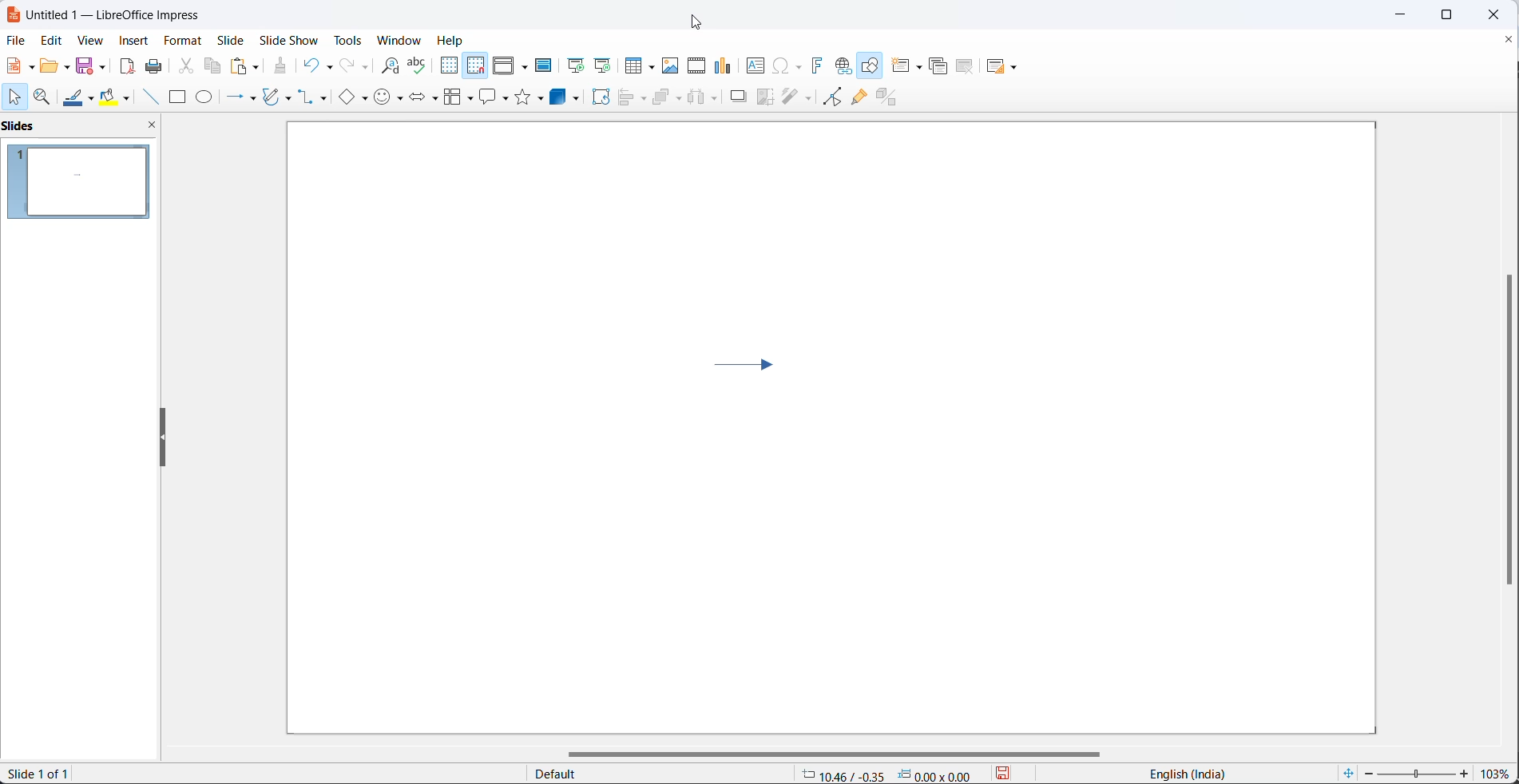  I want to click on insert chart, so click(723, 65).